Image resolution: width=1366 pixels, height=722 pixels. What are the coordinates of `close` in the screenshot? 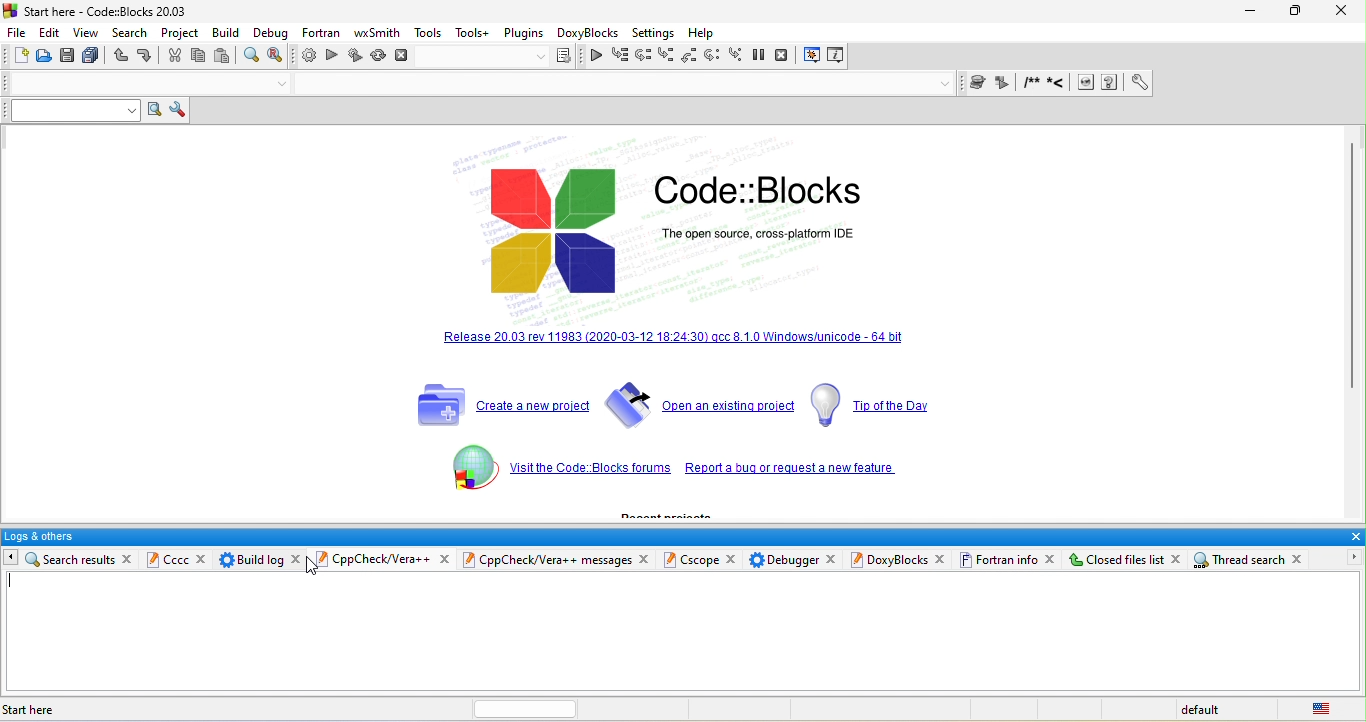 It's located at (833, 556).